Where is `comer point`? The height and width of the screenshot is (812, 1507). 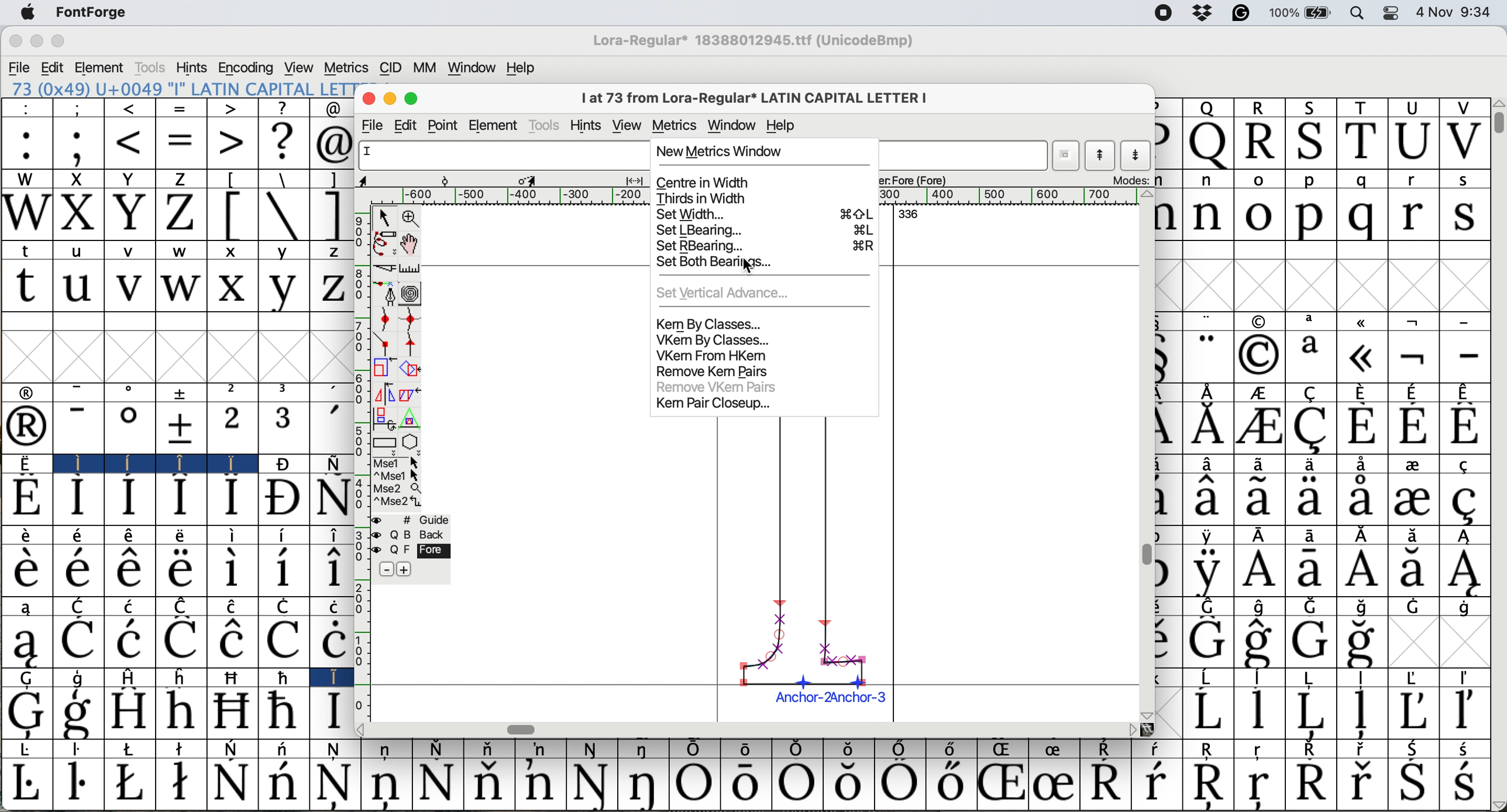
comer point is located at coordinates (384, 345).